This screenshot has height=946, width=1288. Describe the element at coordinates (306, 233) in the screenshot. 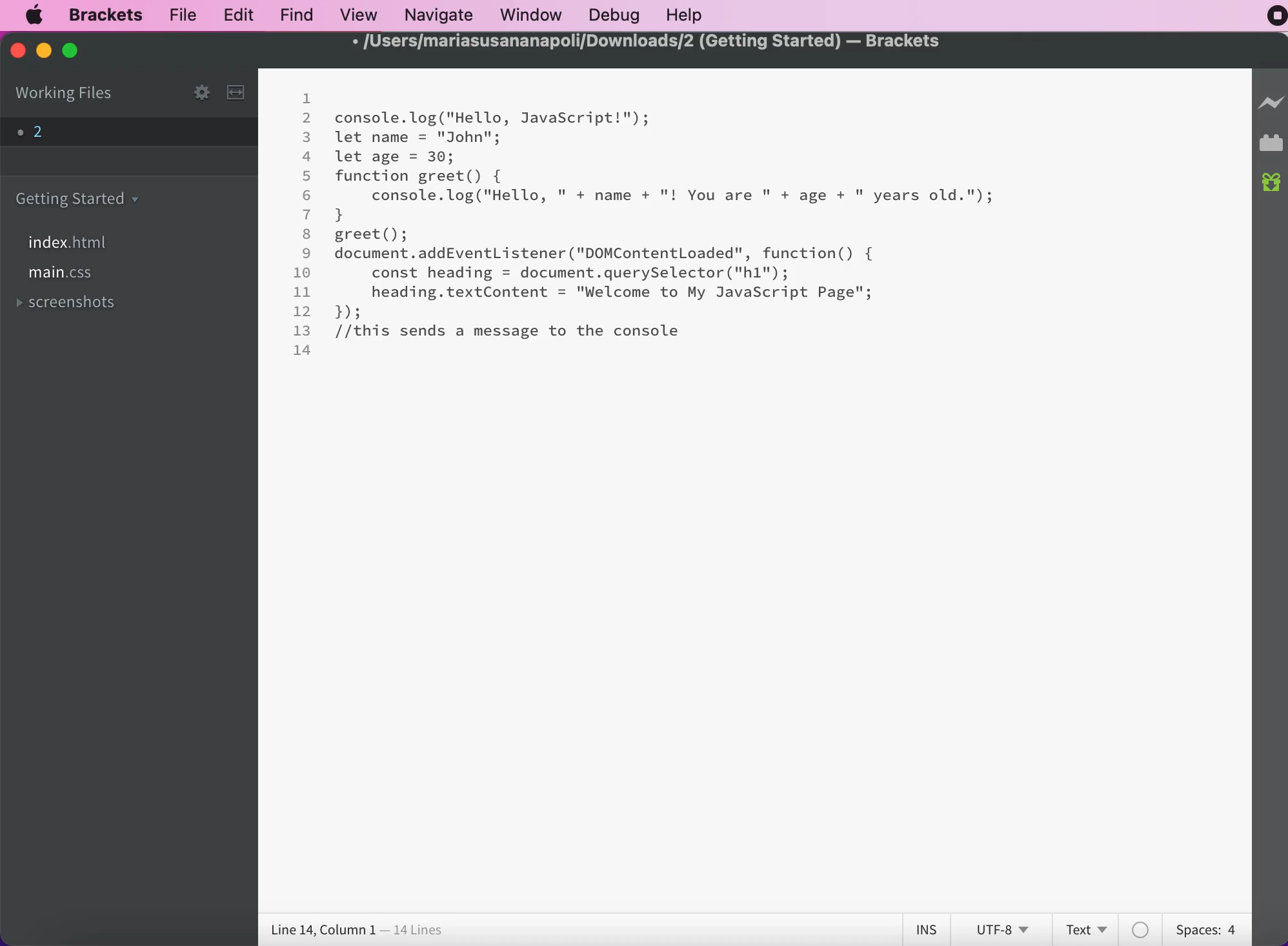

I see `8` at that location.